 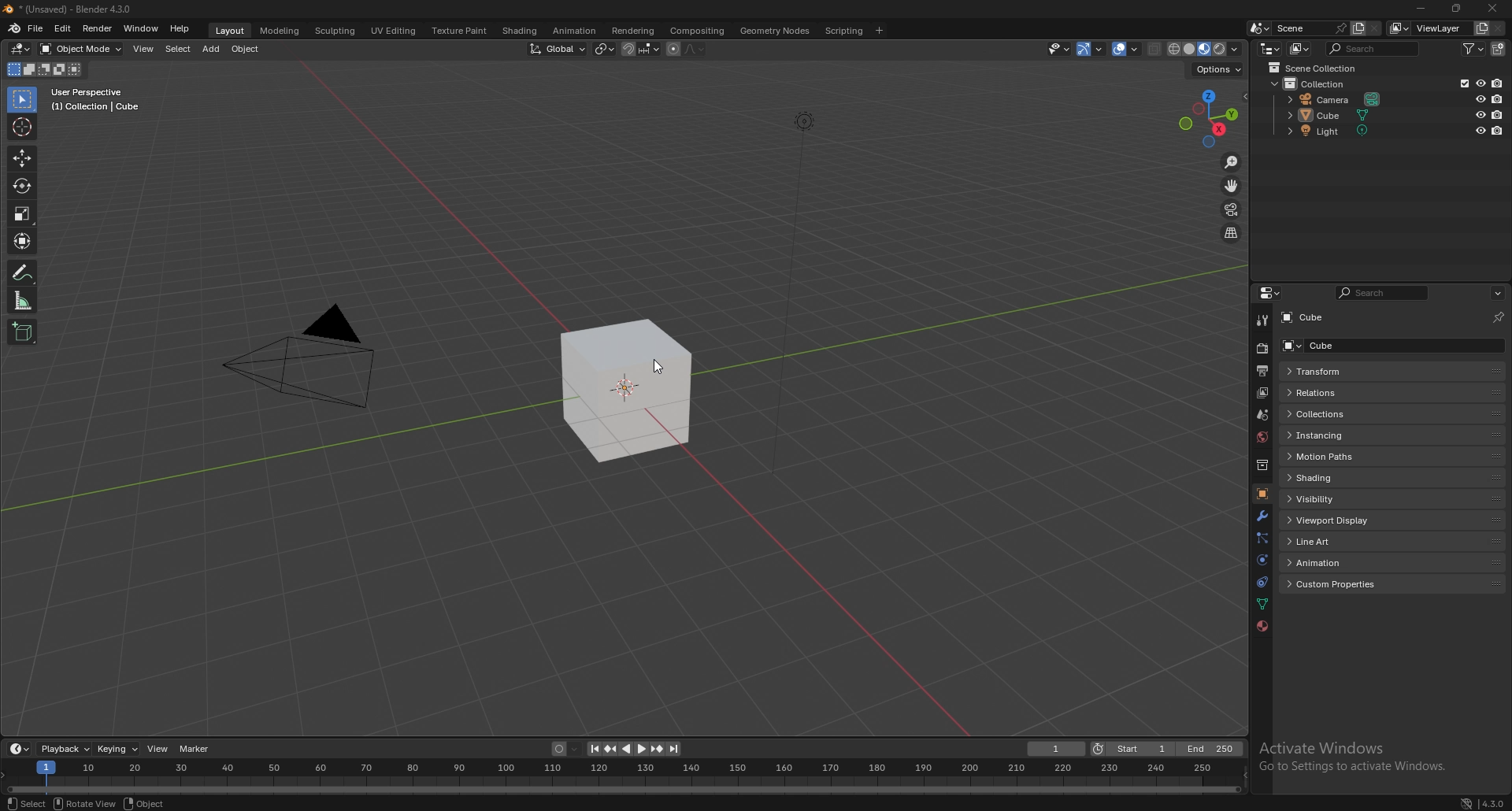 What do you see at coordinates (1219, 70) in the screenshot?
I see `options` at bounding box center [1219, 70].